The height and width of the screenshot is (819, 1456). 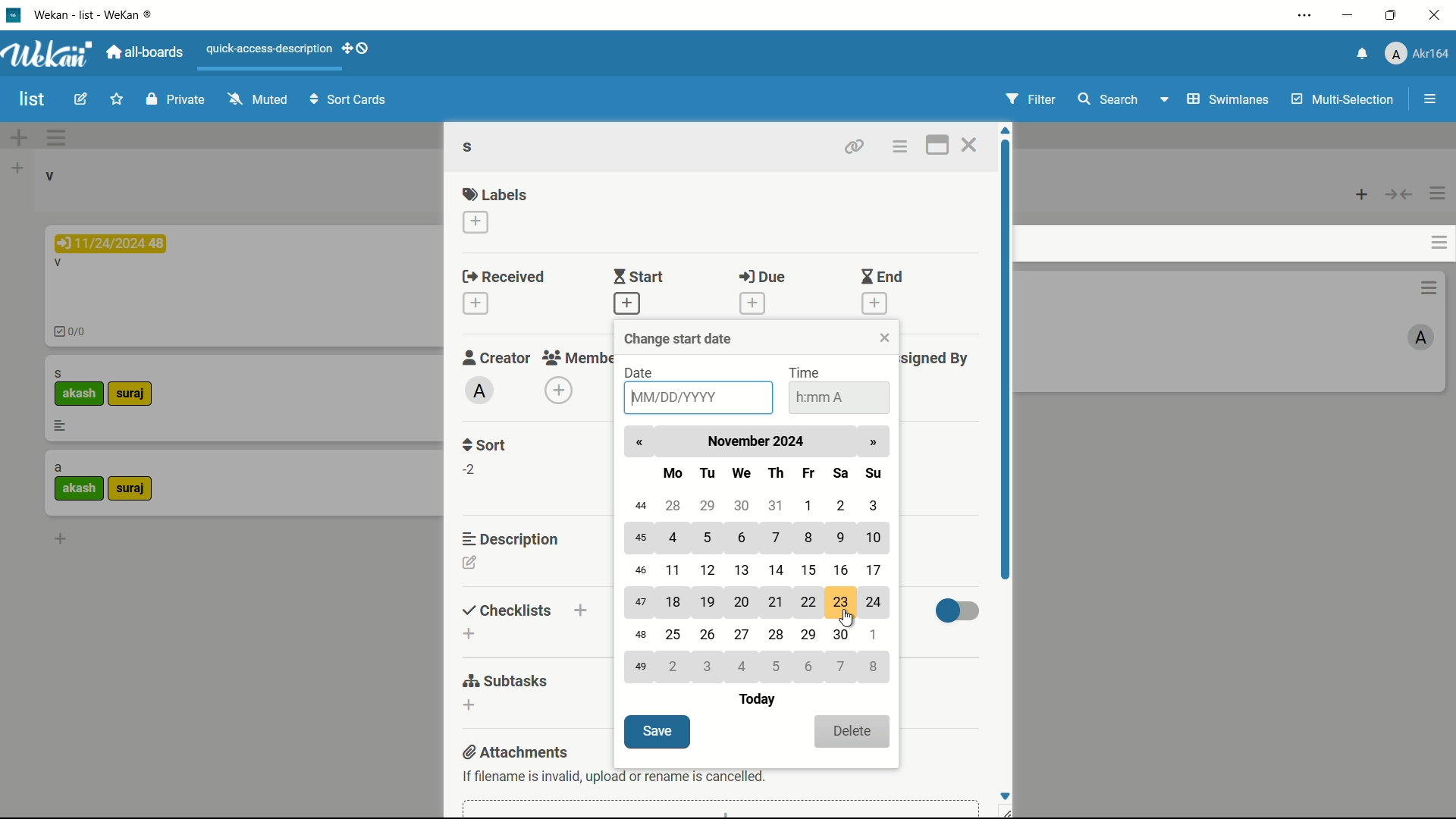 What do you see at coordinates (19, 139) in the screenshot?
I see `add swimlane` at bounding box center [19, 139].